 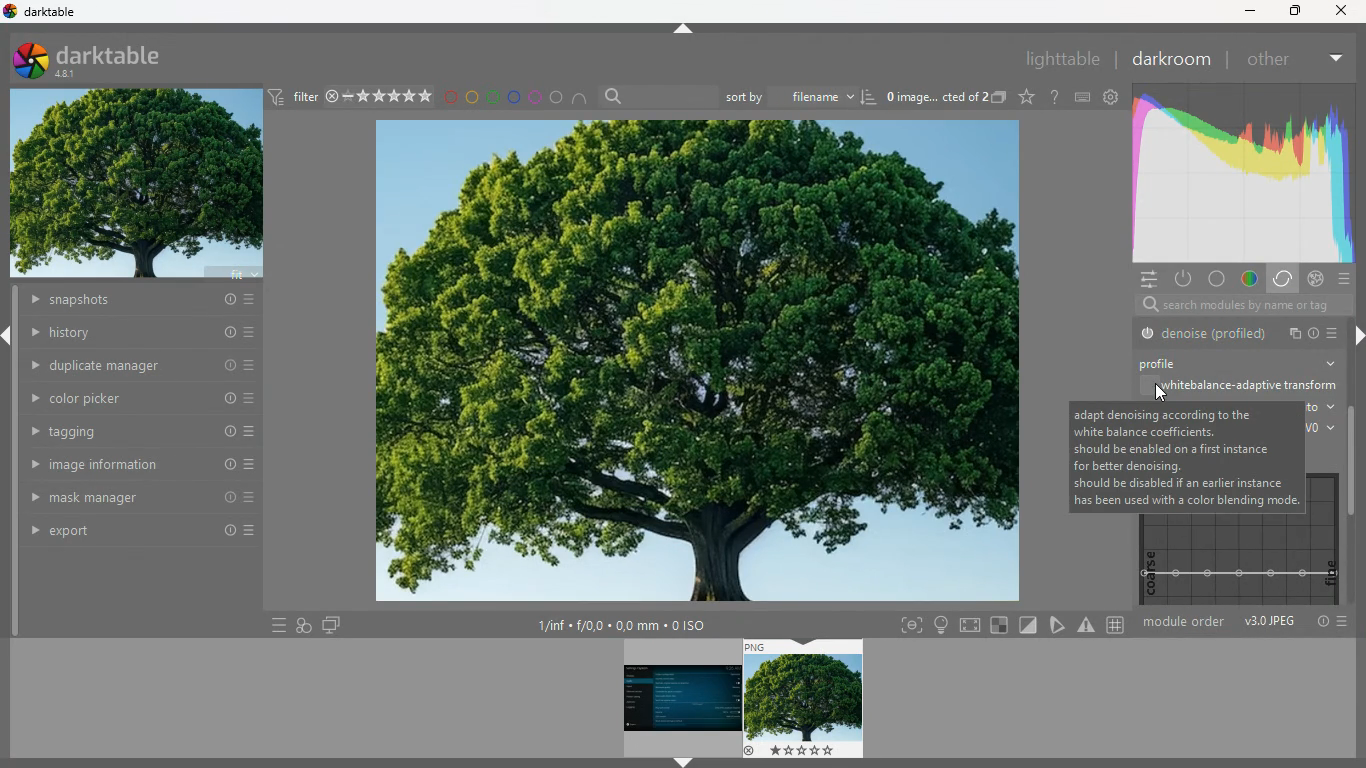 I want to click on denoise, so click(x=1204, y=333).